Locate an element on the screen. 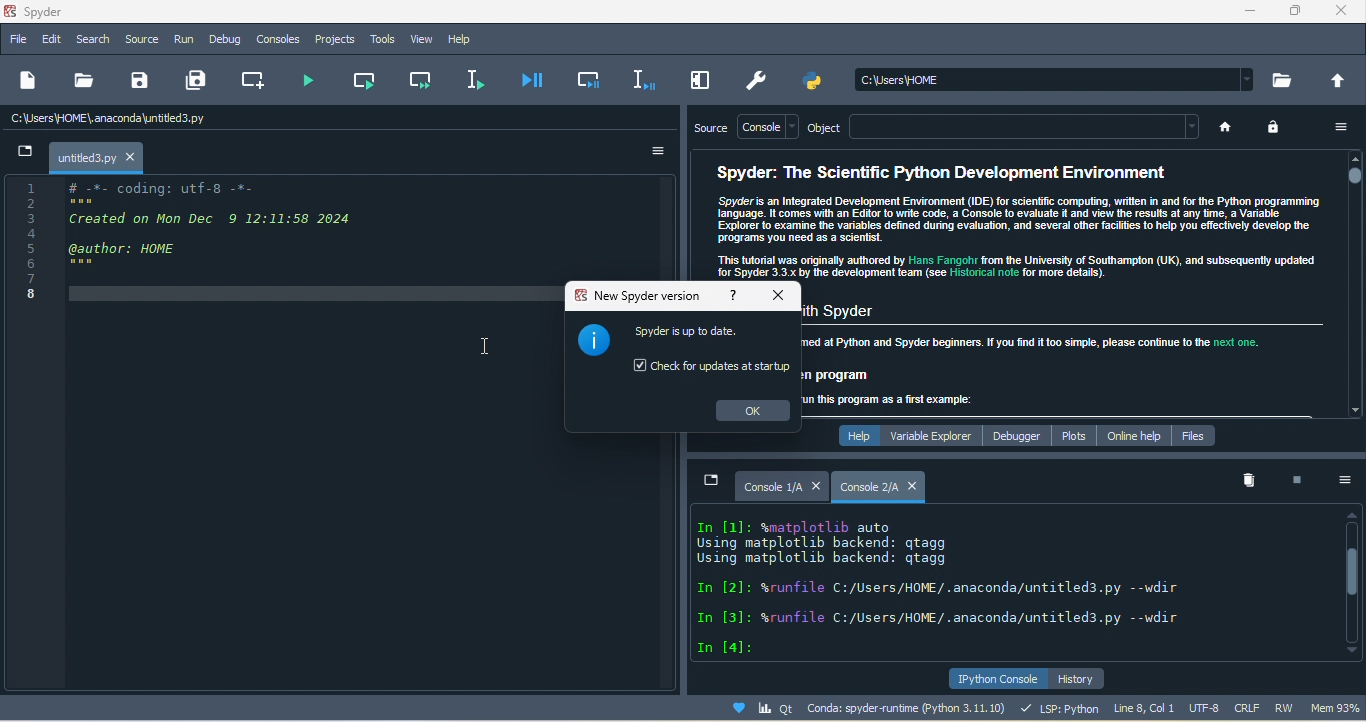 Image resolution: width=1366 pixels, height=722 pixels. help is located at coordinates (739, 296).